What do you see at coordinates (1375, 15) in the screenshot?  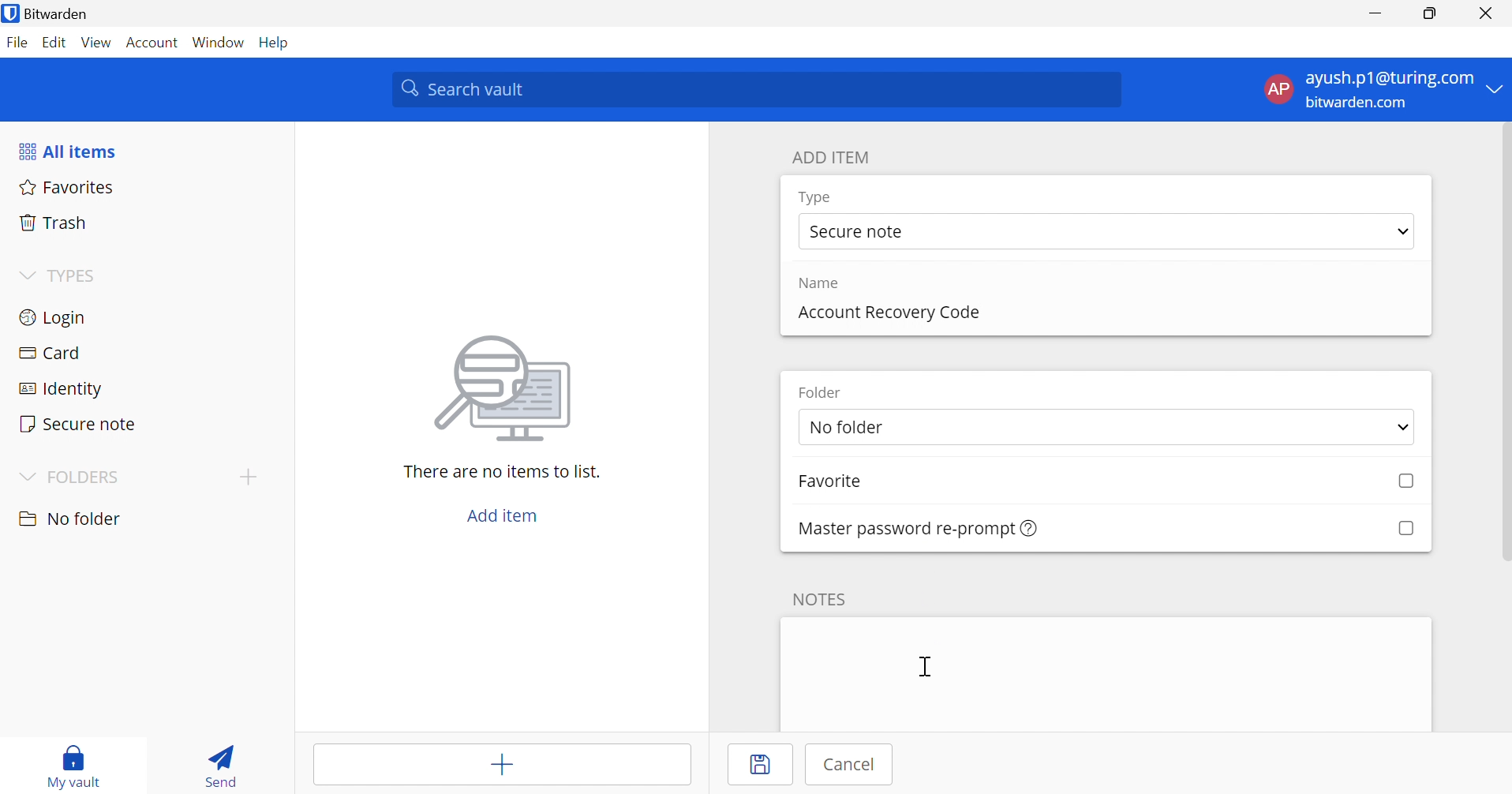 I see `Minimize` at bounding box center [1375, 15].